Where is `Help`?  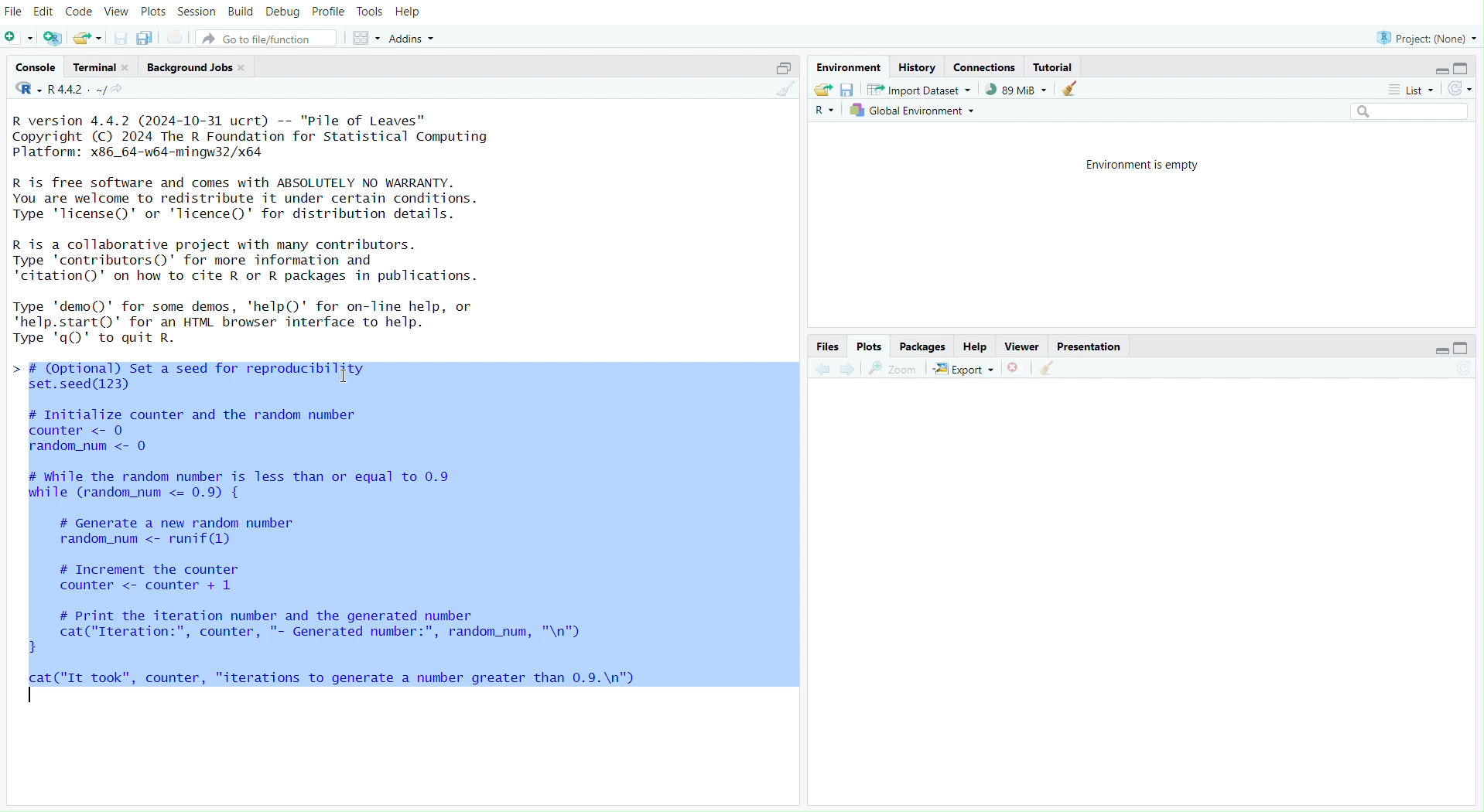
Help is located at coordinates (976, 346).